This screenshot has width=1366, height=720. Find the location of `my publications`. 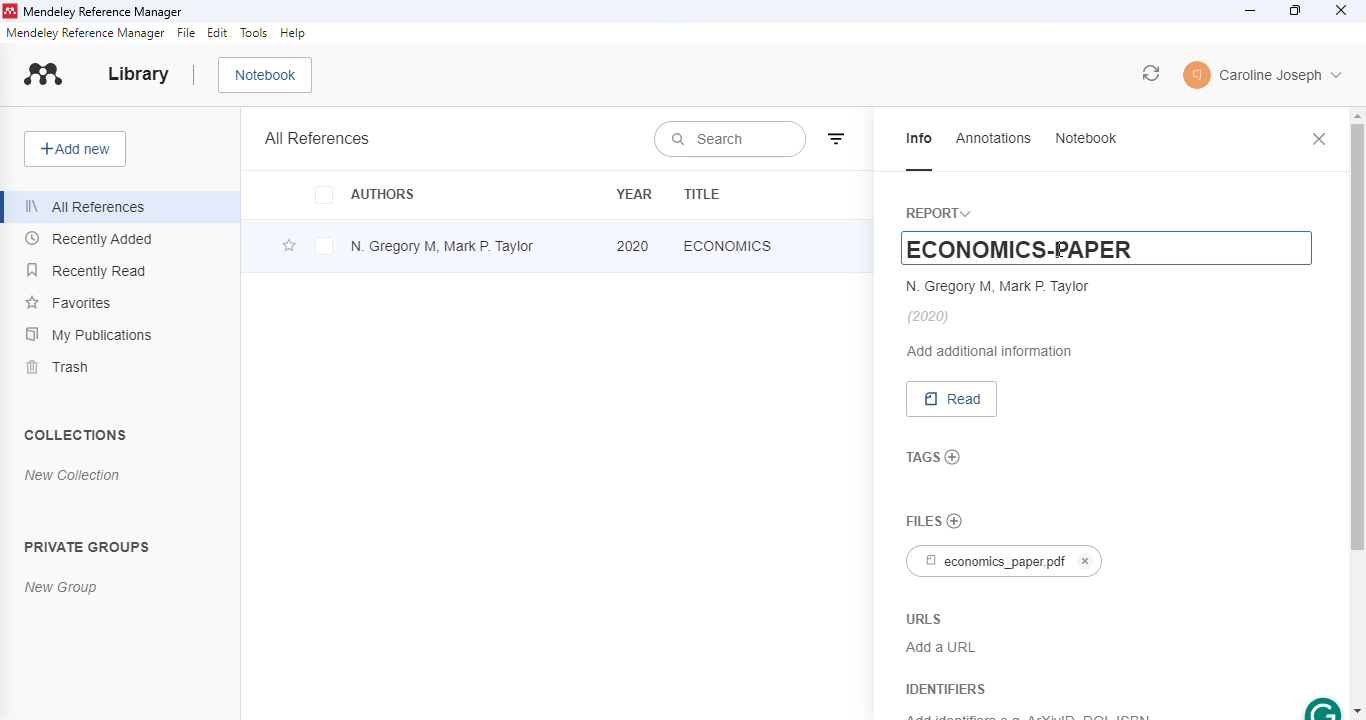

my publications is located at coordinates (91, 335).